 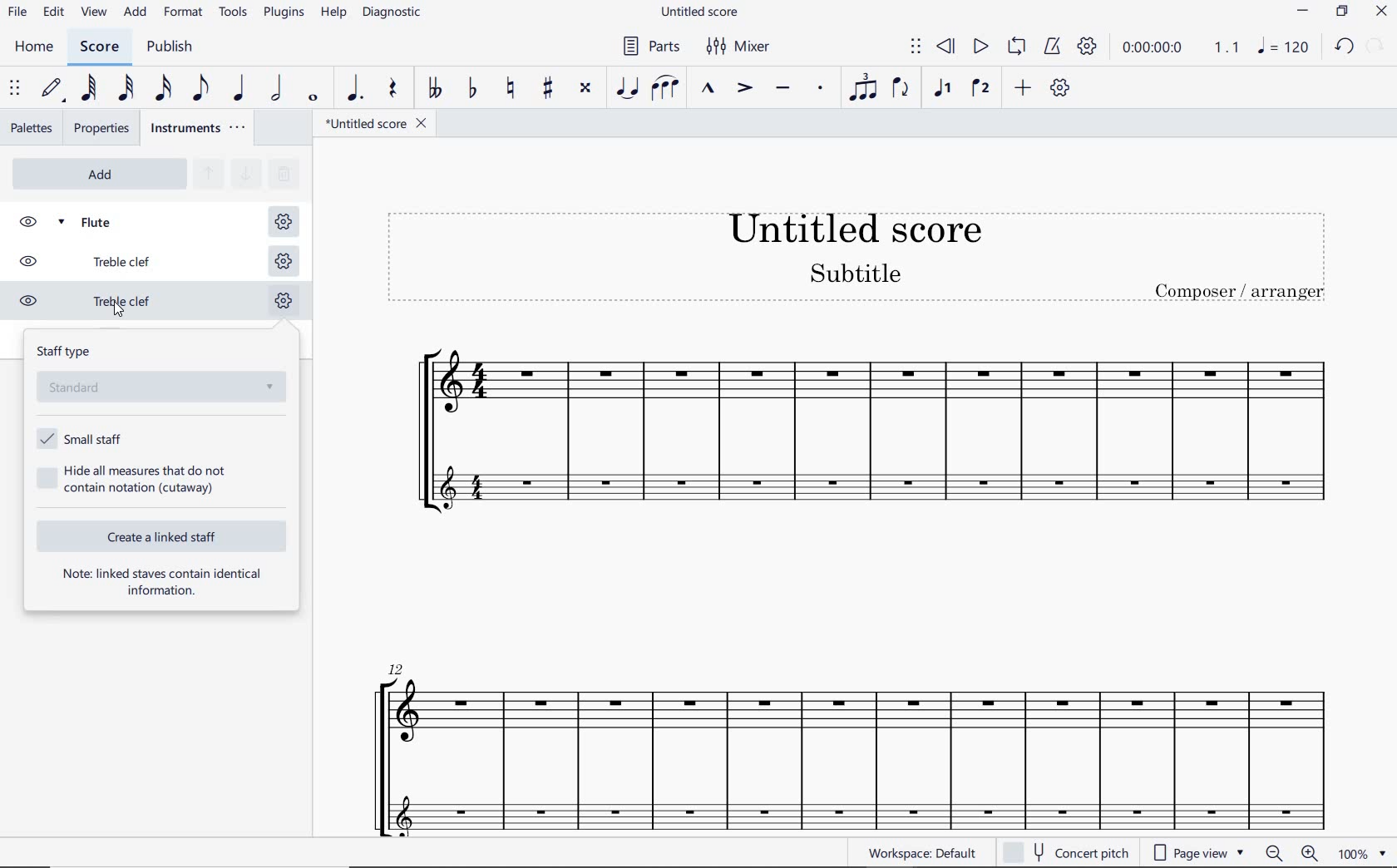 What do you see at coordinates (628, 89) in the screenshot?
I see `TIE` at bounding box center [628, 89].